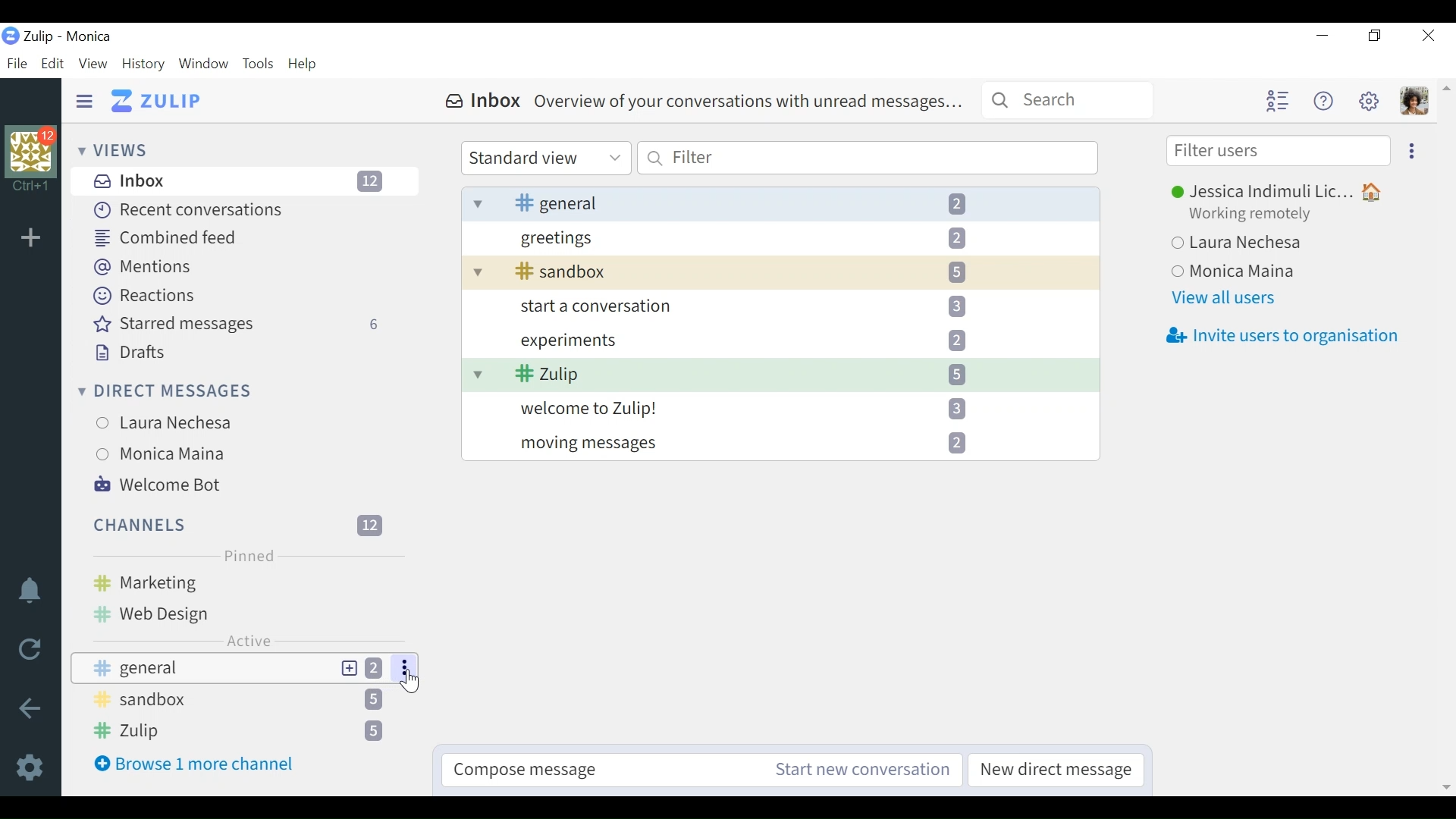  Describe the element at coordinates (240, 732) in the screenshot. I see `Zulip 5` at that location.